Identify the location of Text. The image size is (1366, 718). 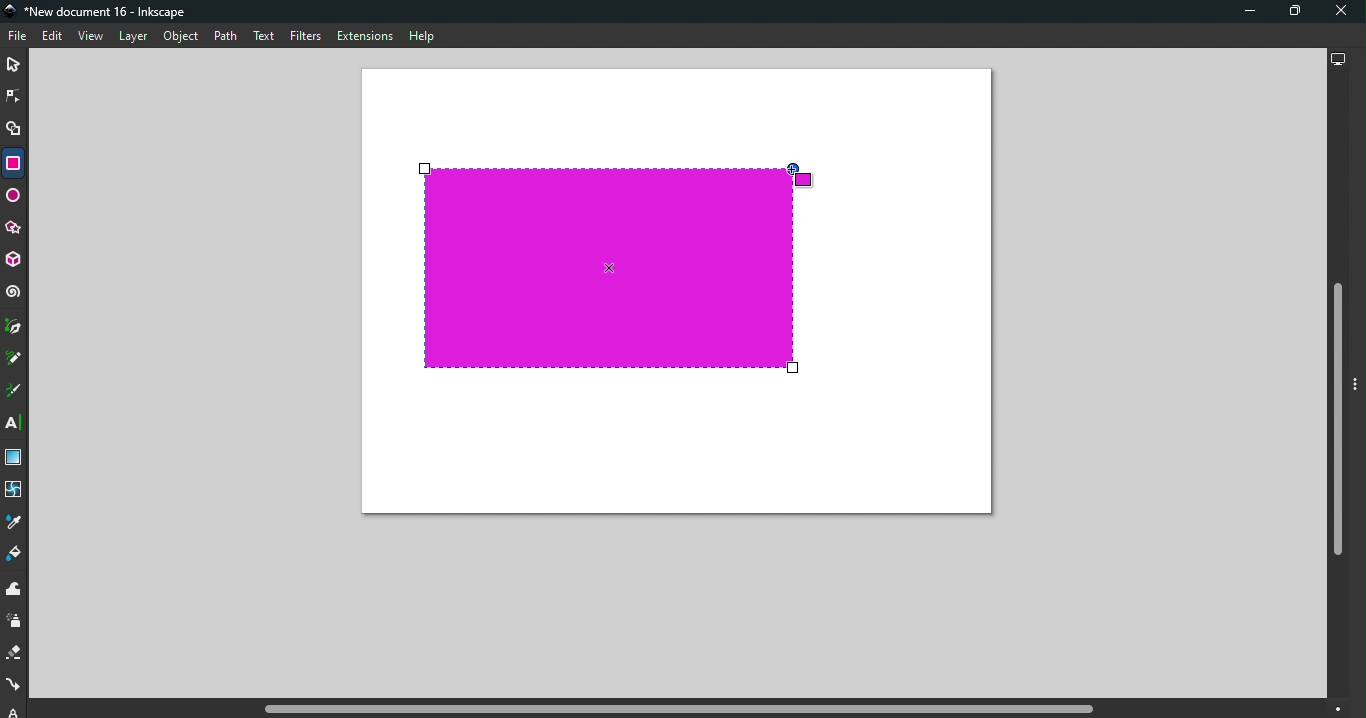
(266, 37).